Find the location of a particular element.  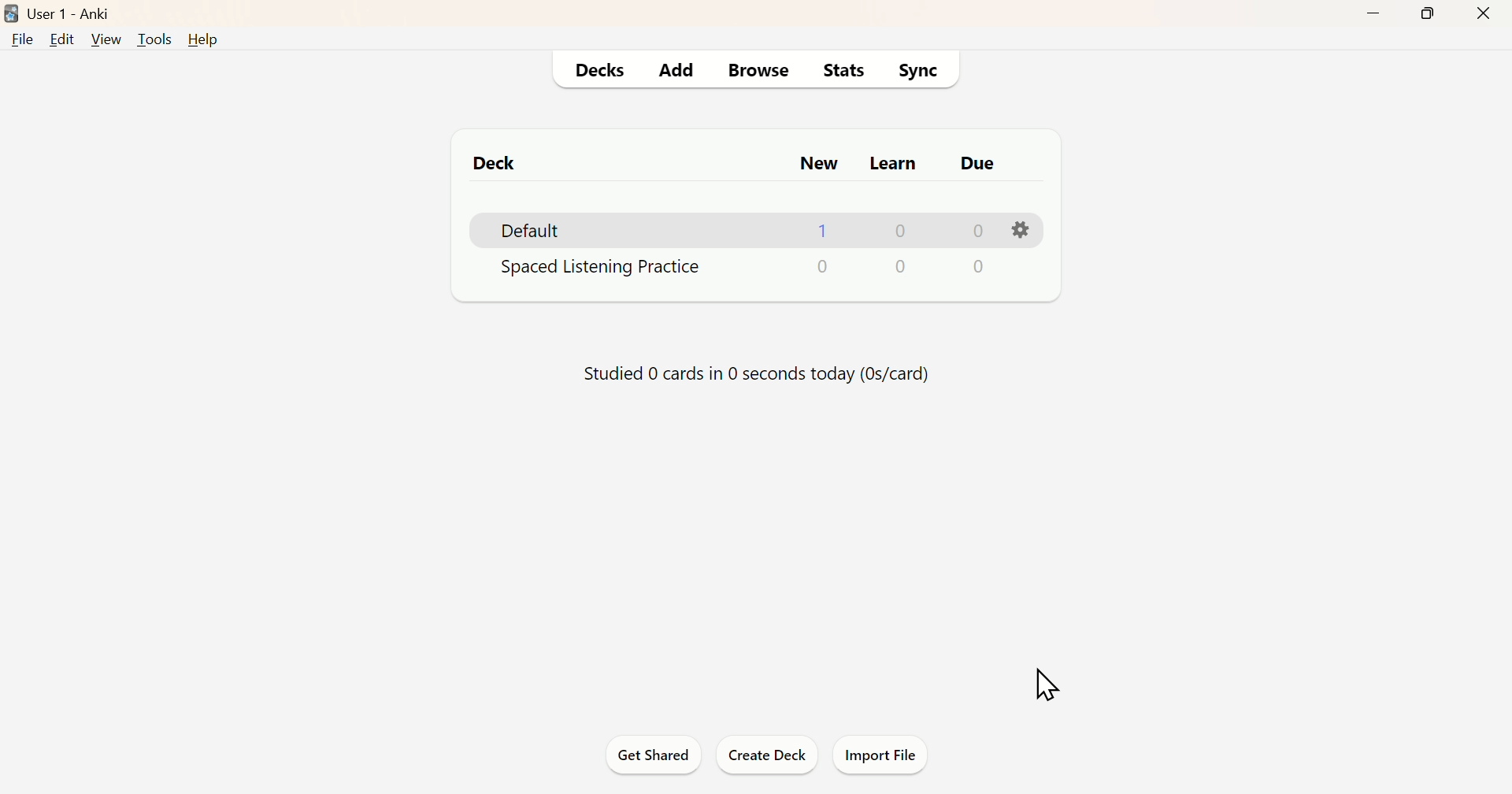

Spaced Listening Practice is located at coordinates (737, 269).